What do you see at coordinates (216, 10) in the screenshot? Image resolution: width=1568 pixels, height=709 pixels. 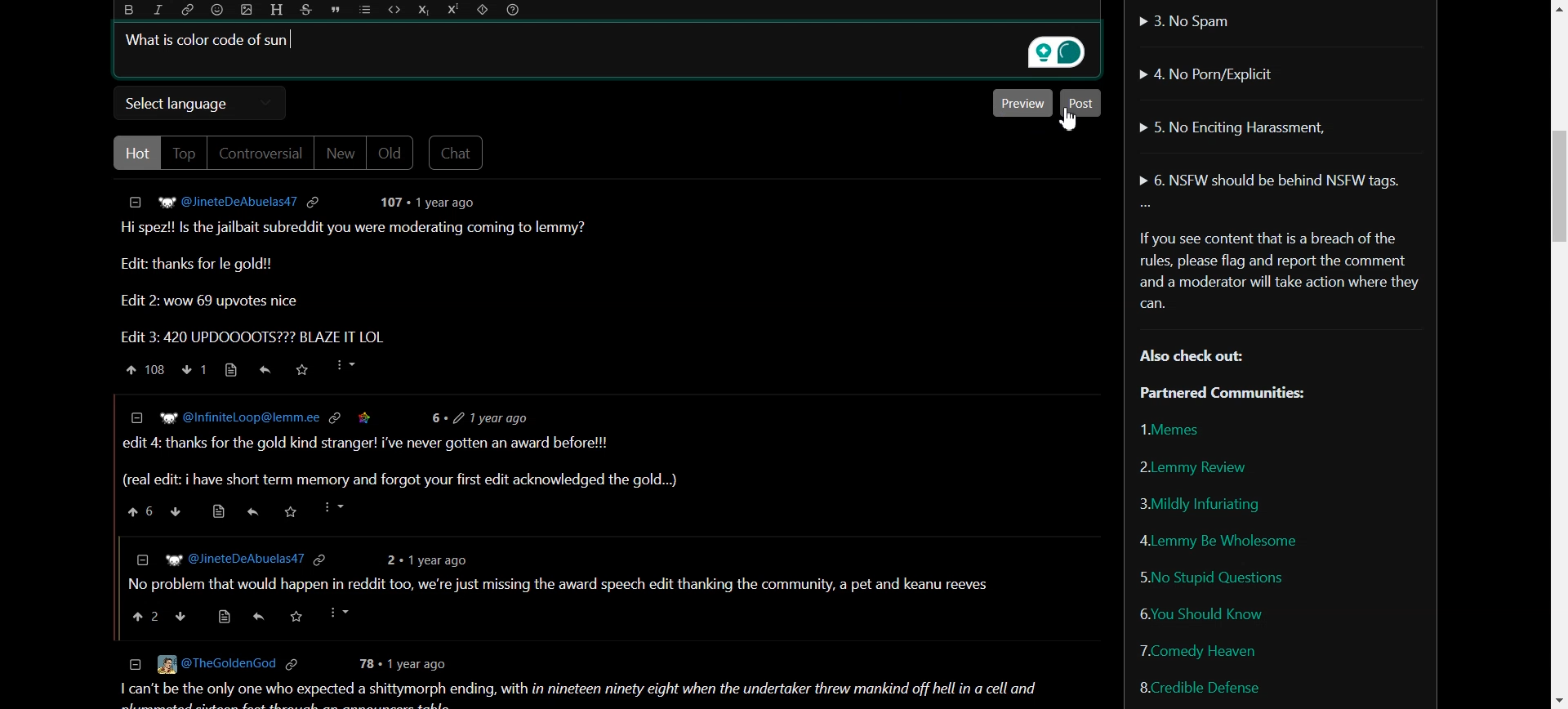 I see `Emoji` at bounding box center [216, 10].